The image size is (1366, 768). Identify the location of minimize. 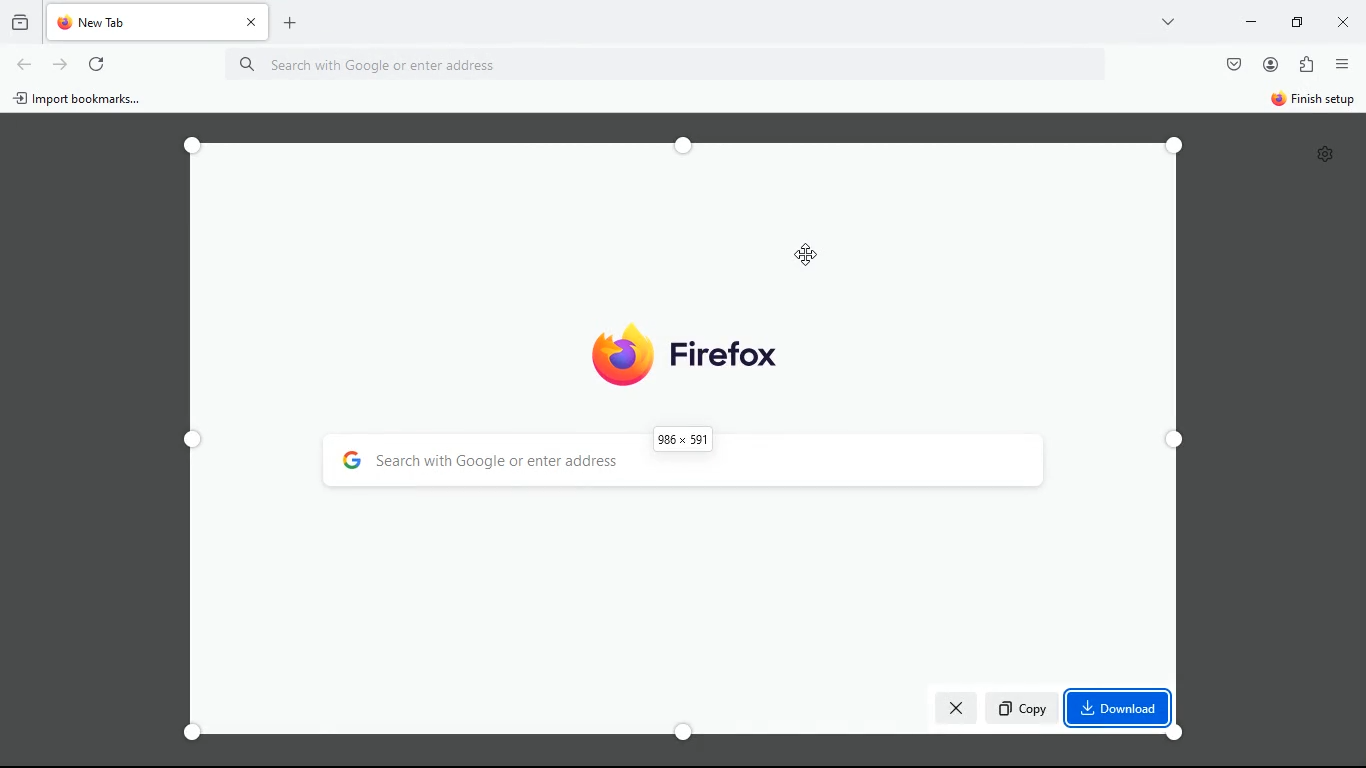
(1294, 21).